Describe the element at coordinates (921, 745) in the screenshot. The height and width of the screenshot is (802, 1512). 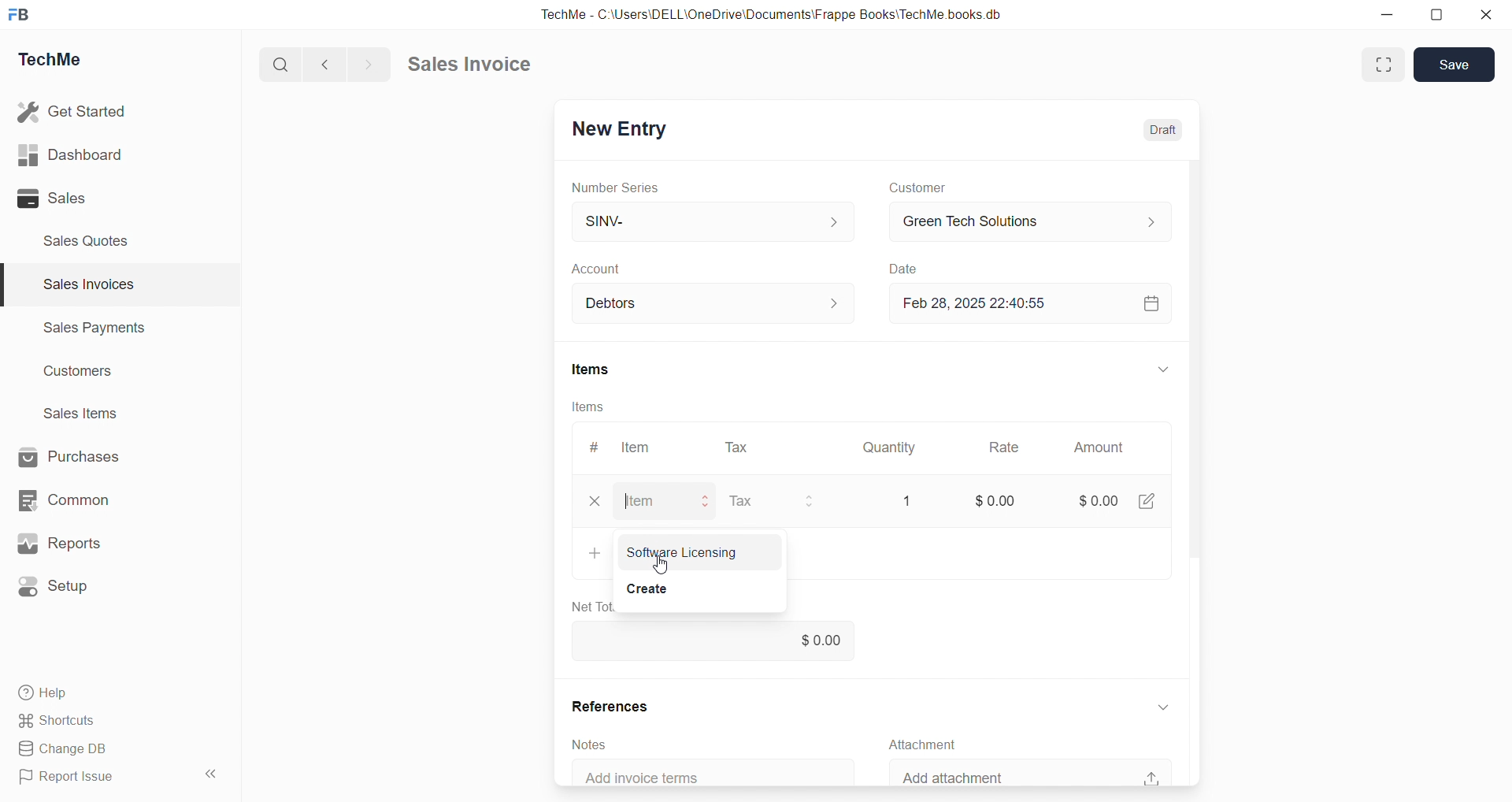
I see `Attachment` at that location.